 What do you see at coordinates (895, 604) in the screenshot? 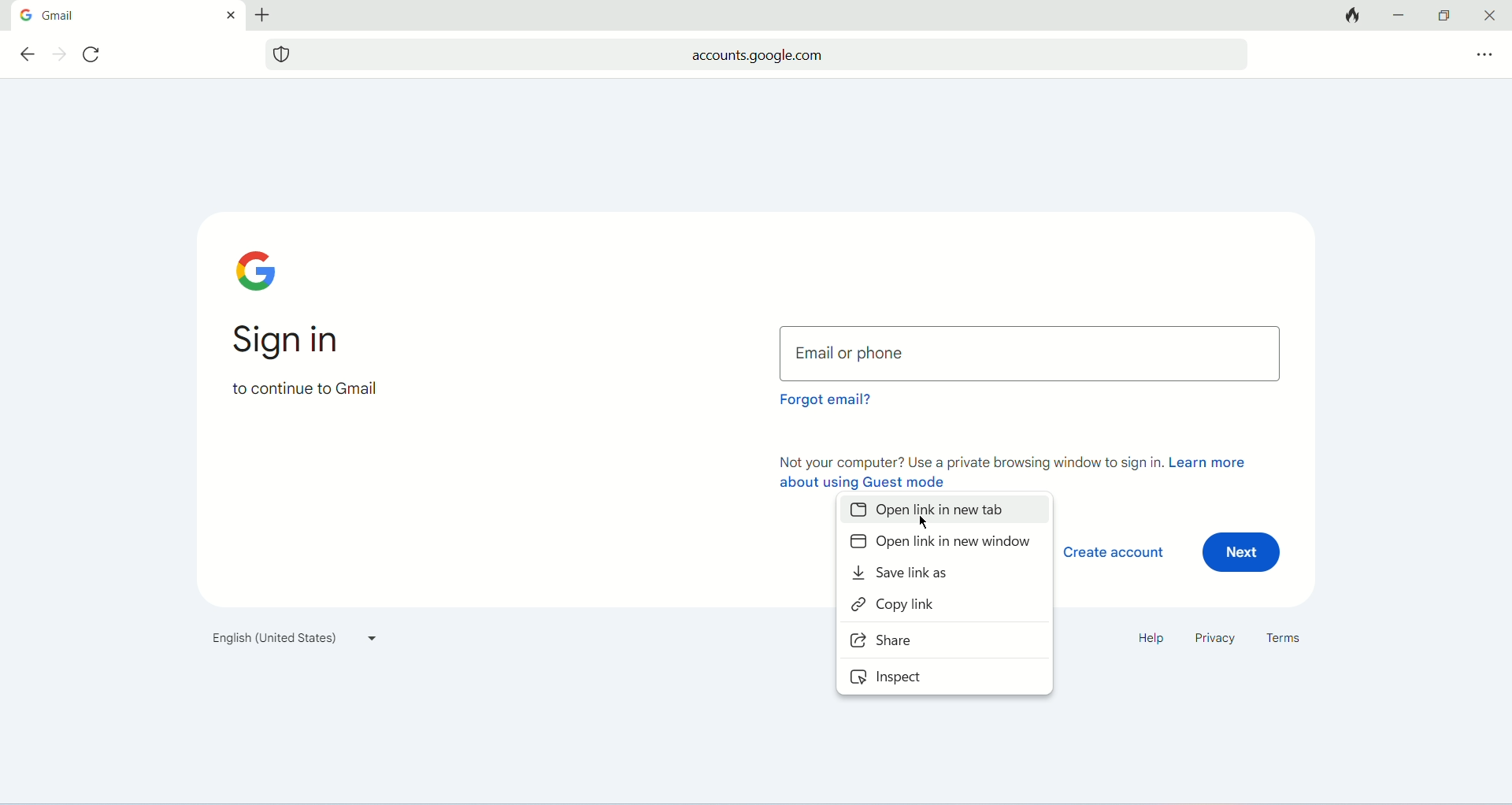
I see `copy link` at bounding box center [895, 604].